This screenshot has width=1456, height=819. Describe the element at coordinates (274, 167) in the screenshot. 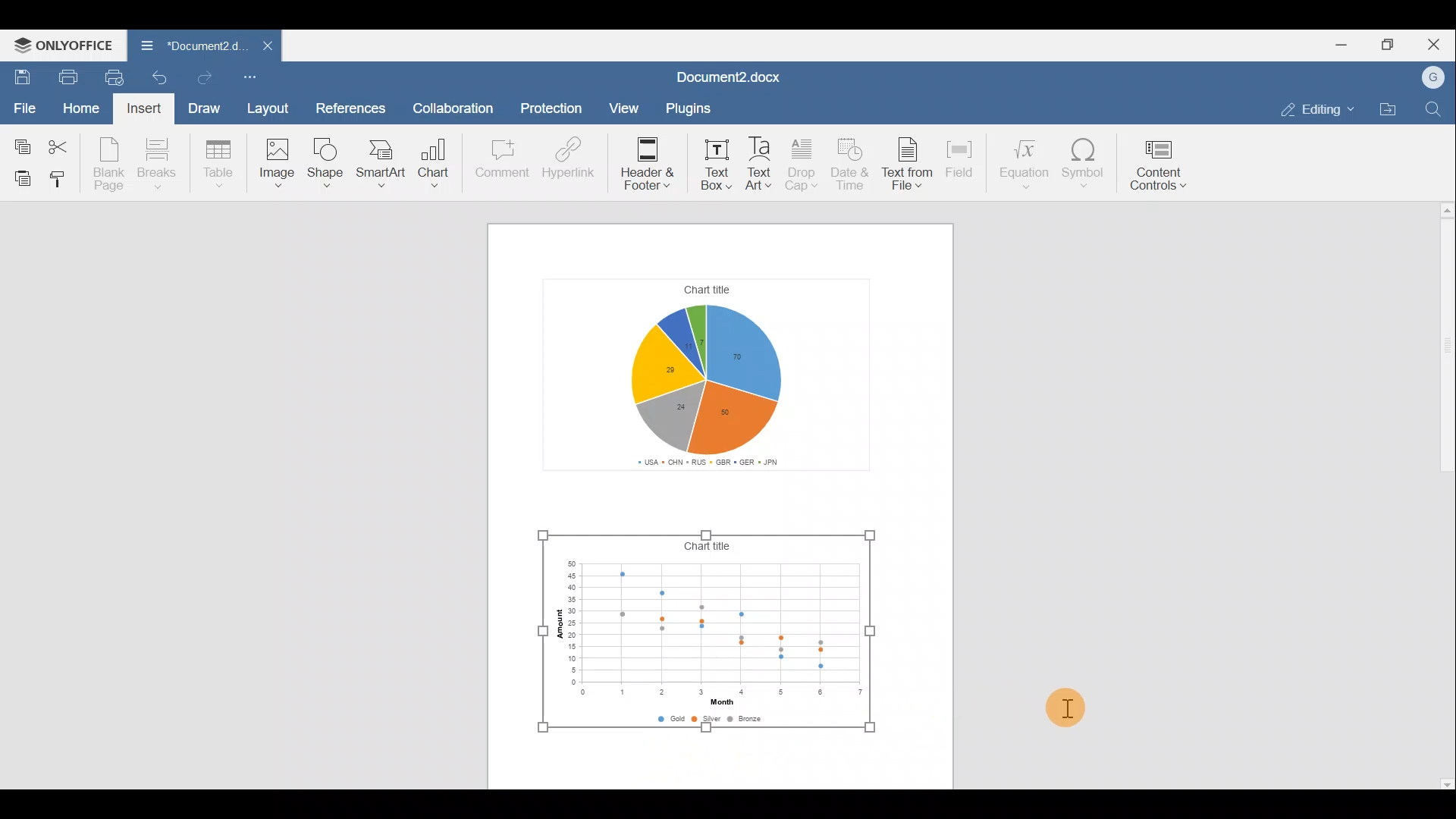

I see `Image` at that location.